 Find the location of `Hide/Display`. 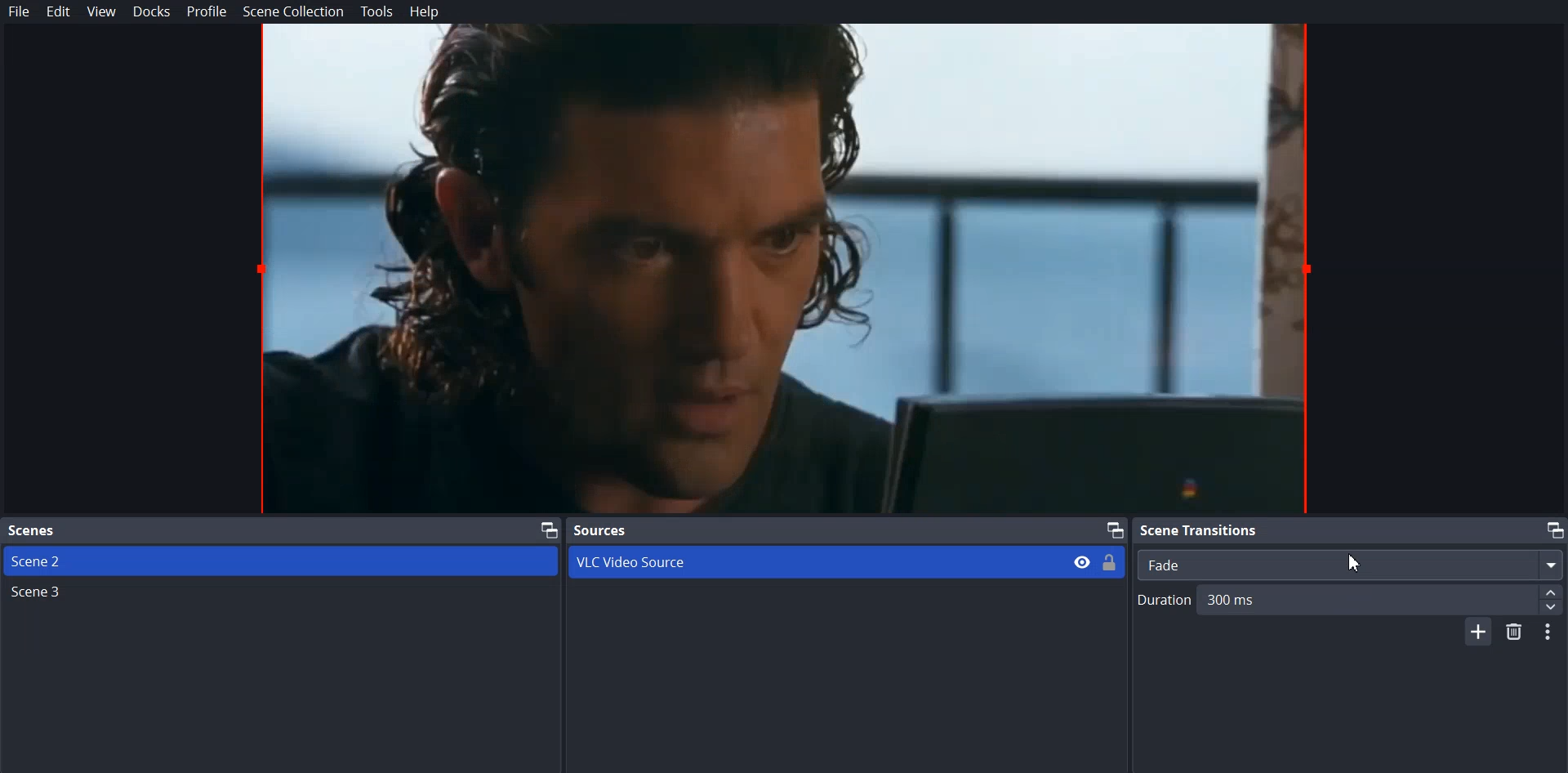

Hide/Display is located at coordinates (1082, 562).